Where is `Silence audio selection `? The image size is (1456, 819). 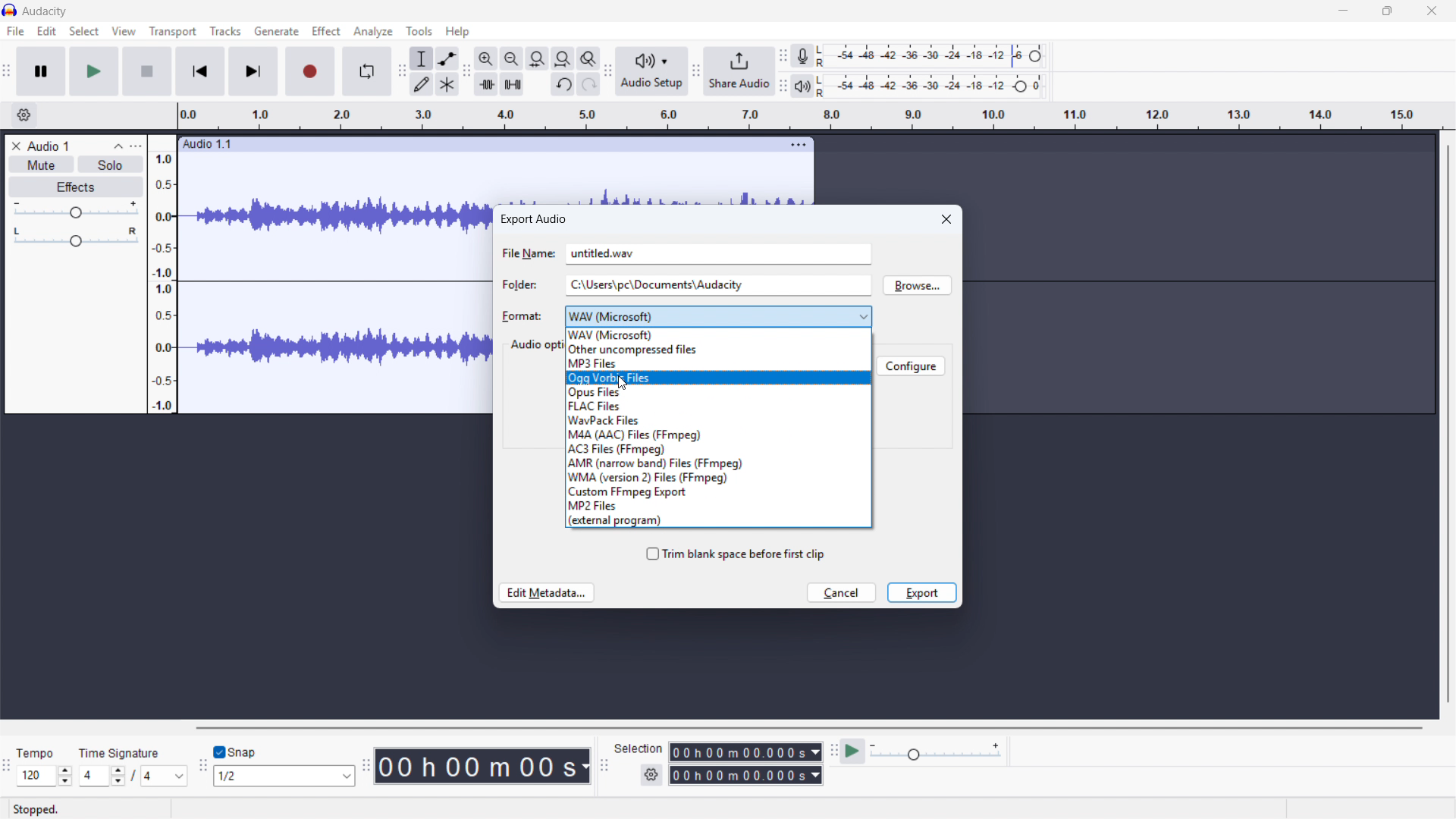 Silence audio selection  is located at coordinates (513, 84).